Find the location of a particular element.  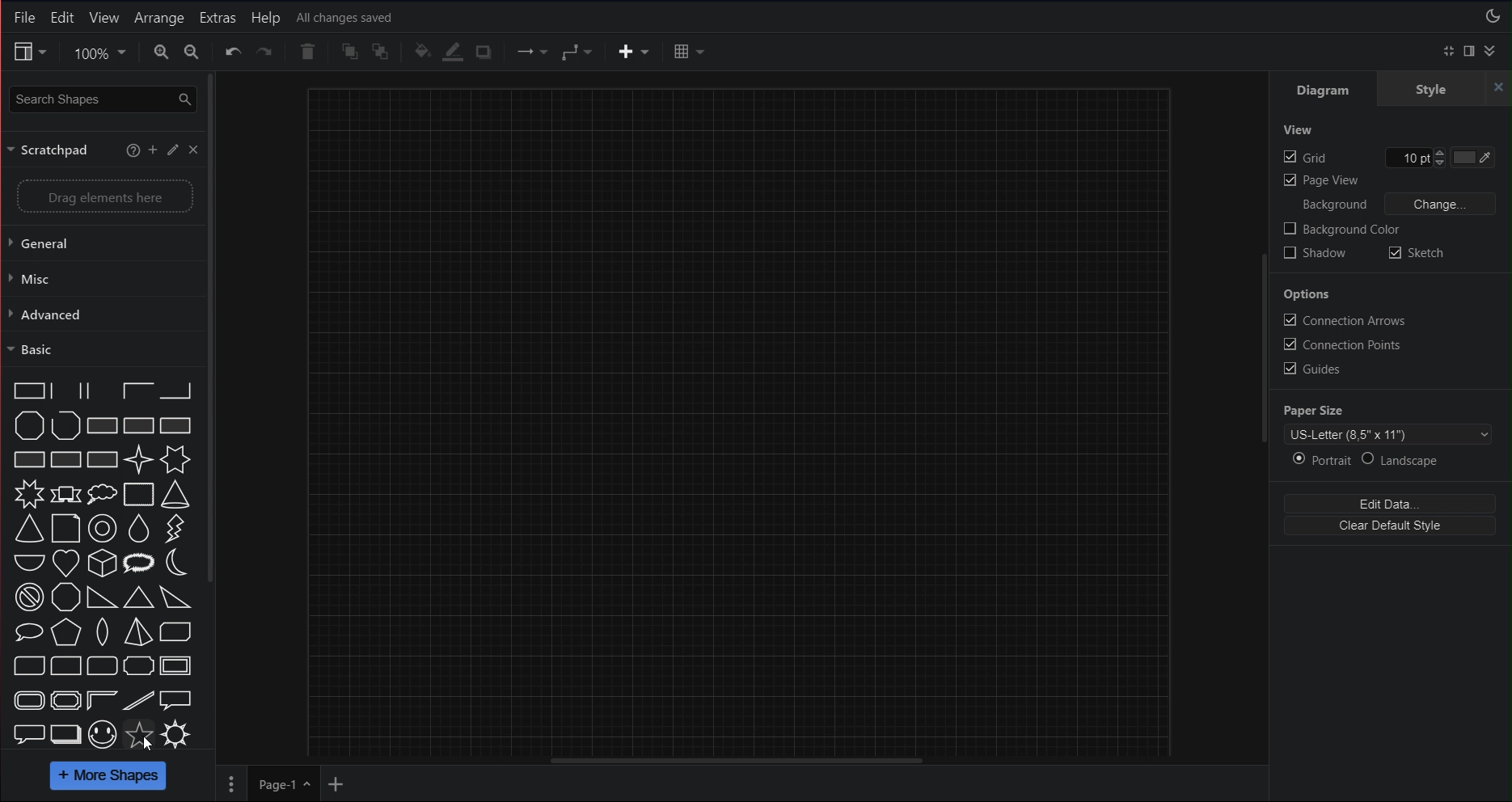

Connection Arrows is located at coordinates (1344, 319).